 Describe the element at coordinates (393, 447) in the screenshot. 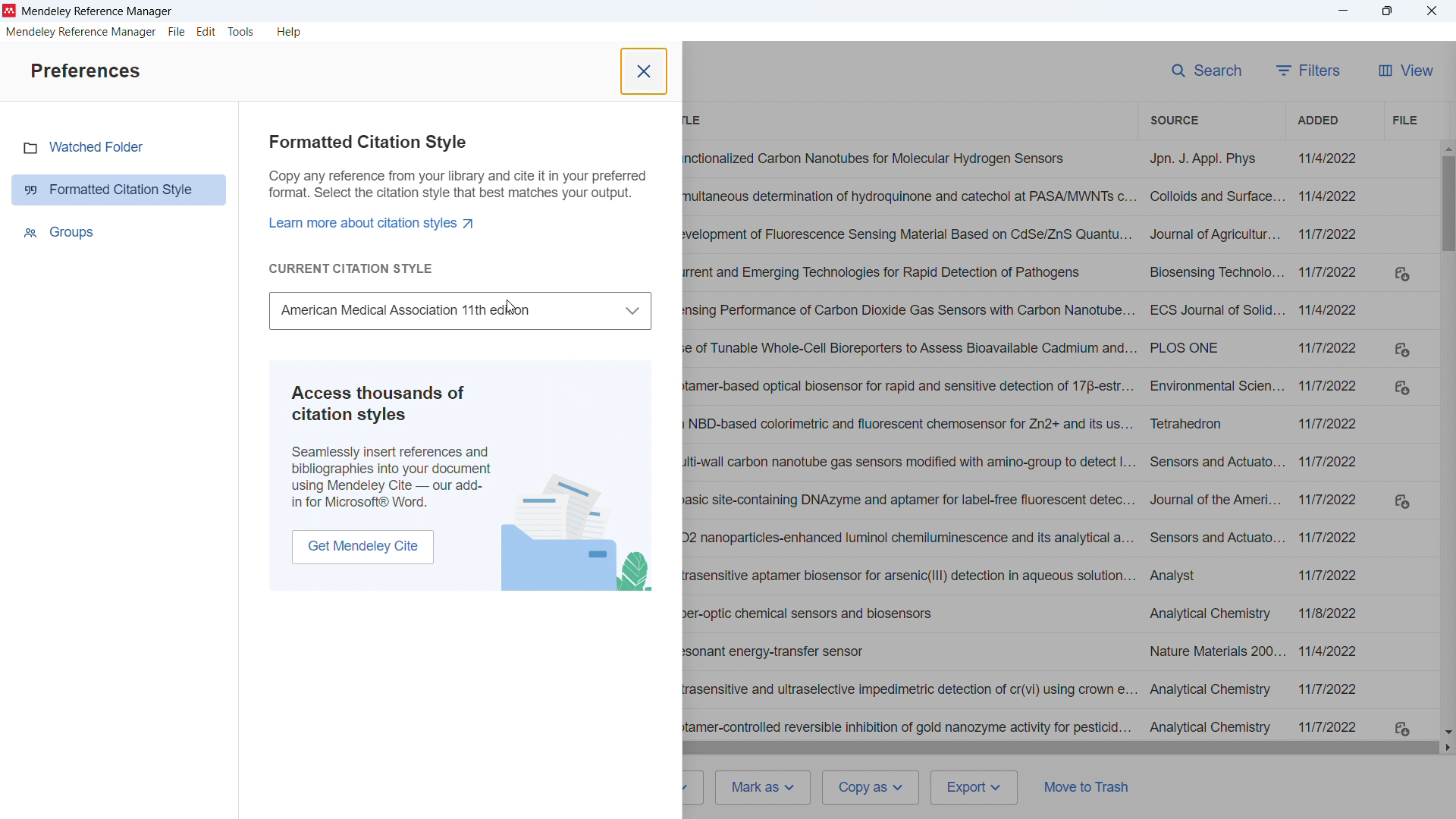

I see `Help tip on accessing thousands of citation styles` at that location.